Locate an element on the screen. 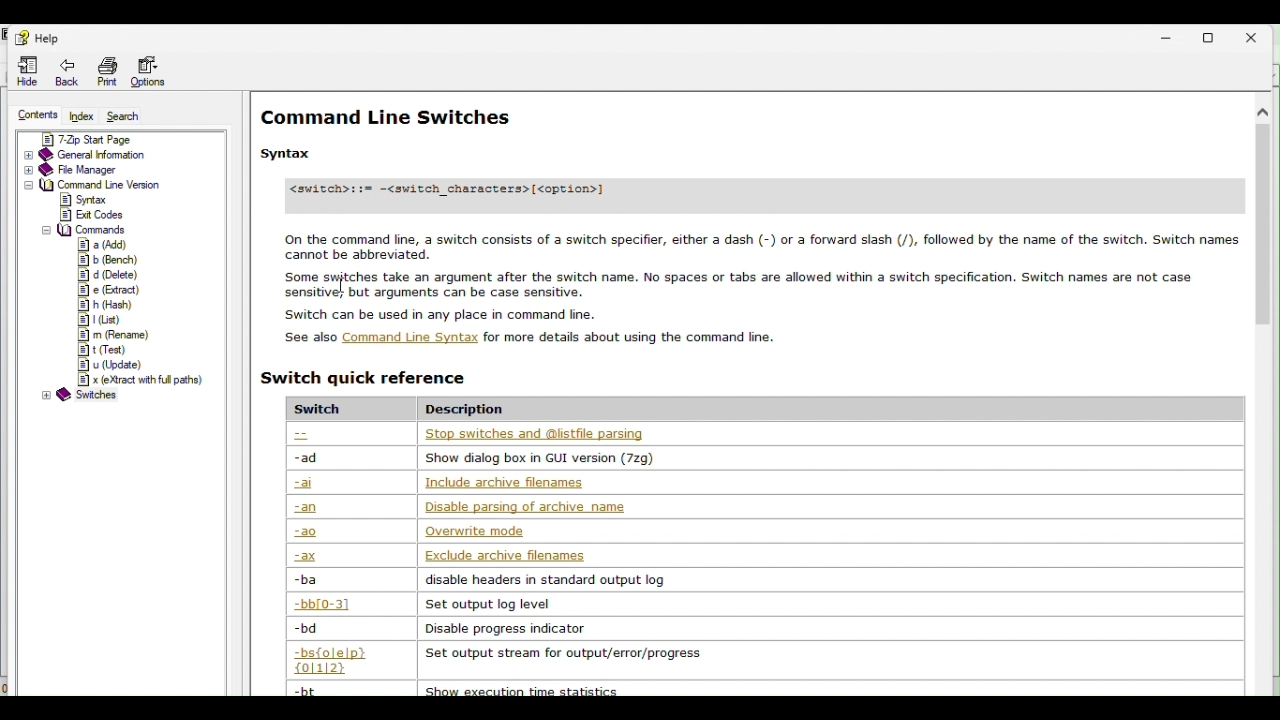  scroll bar is located at coordinates (1264, 229).